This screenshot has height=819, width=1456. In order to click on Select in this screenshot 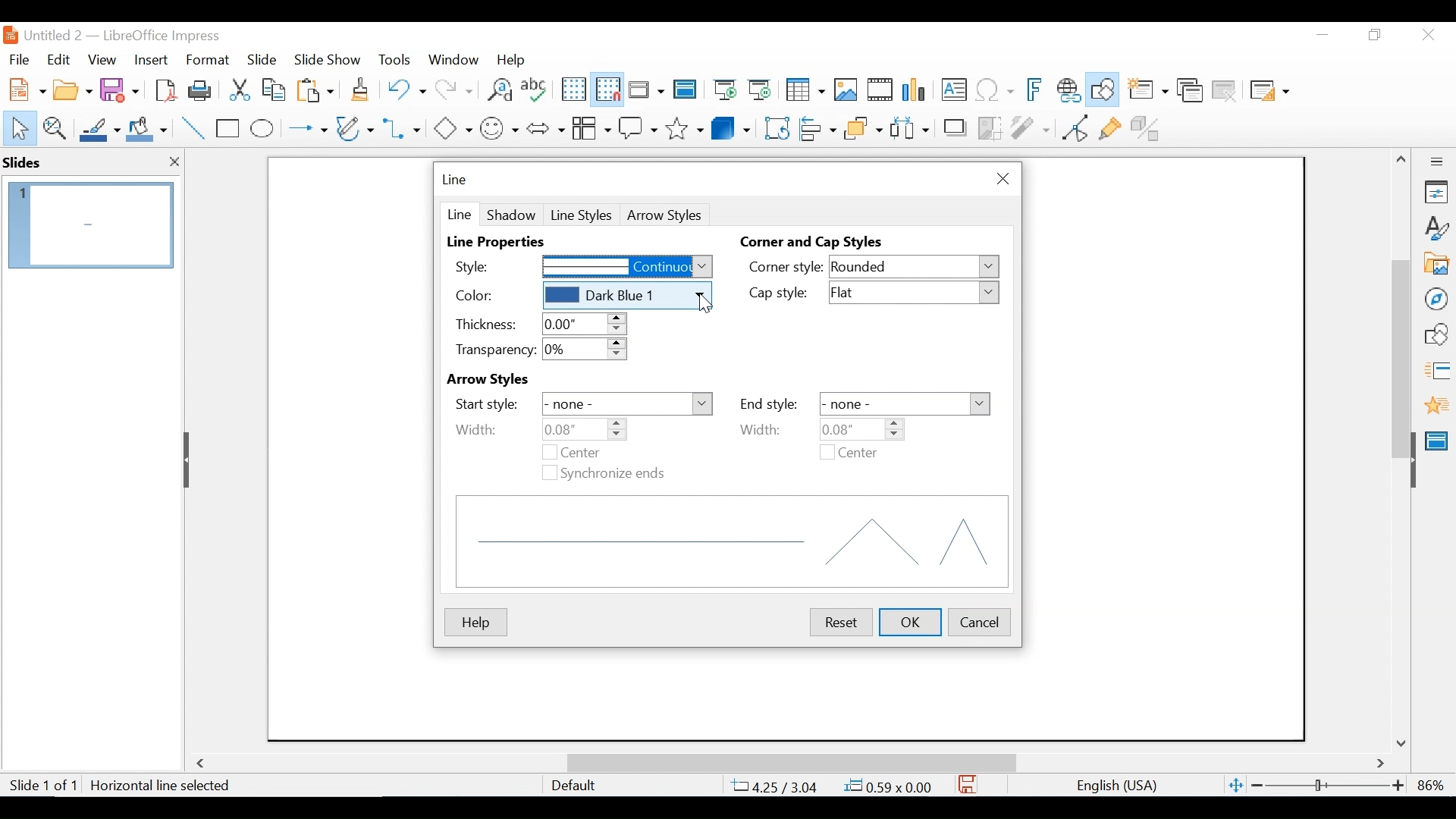, I will do `click(17, 127)`.